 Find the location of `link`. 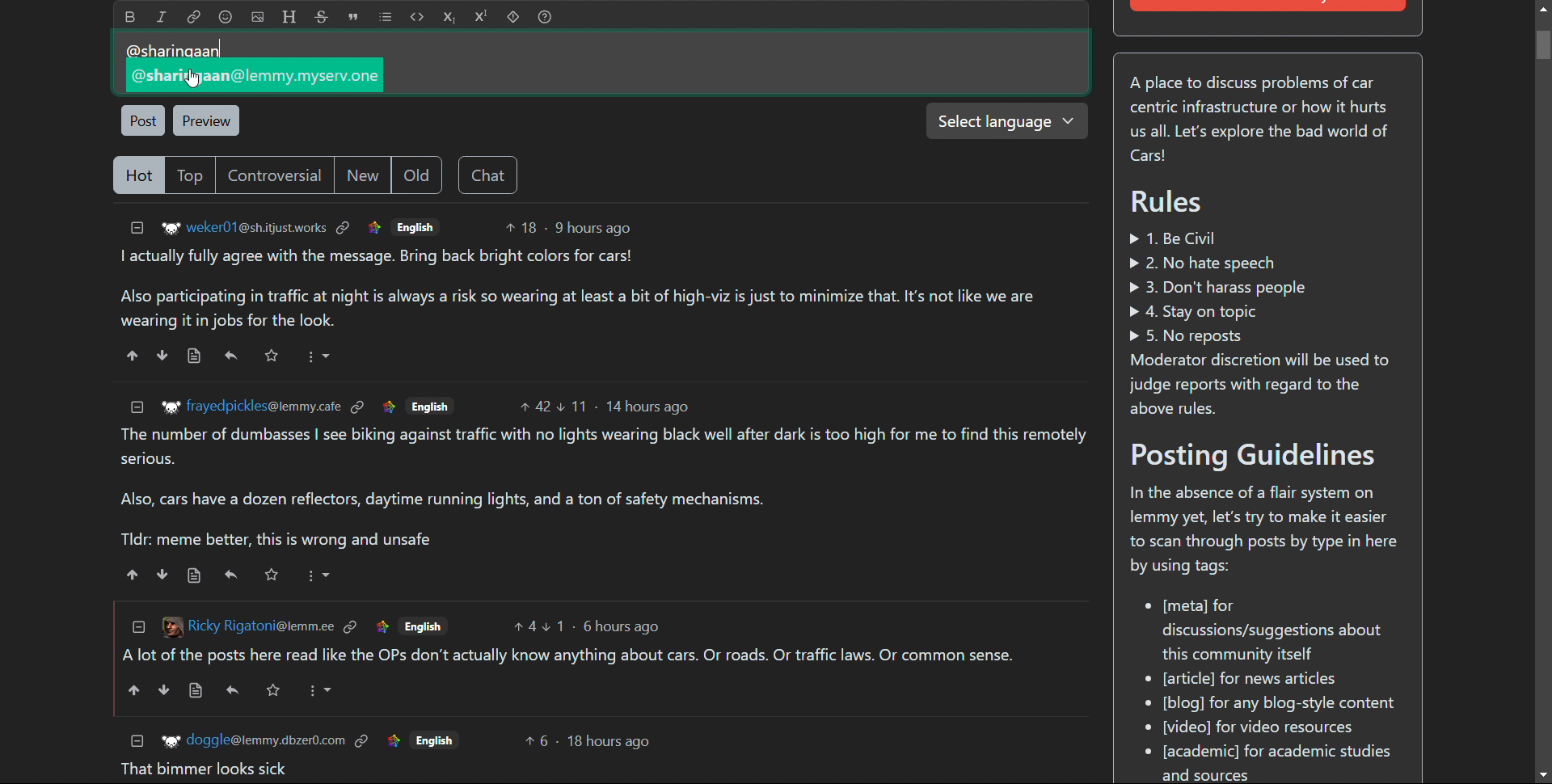

link is located at coordinates (382, 626).